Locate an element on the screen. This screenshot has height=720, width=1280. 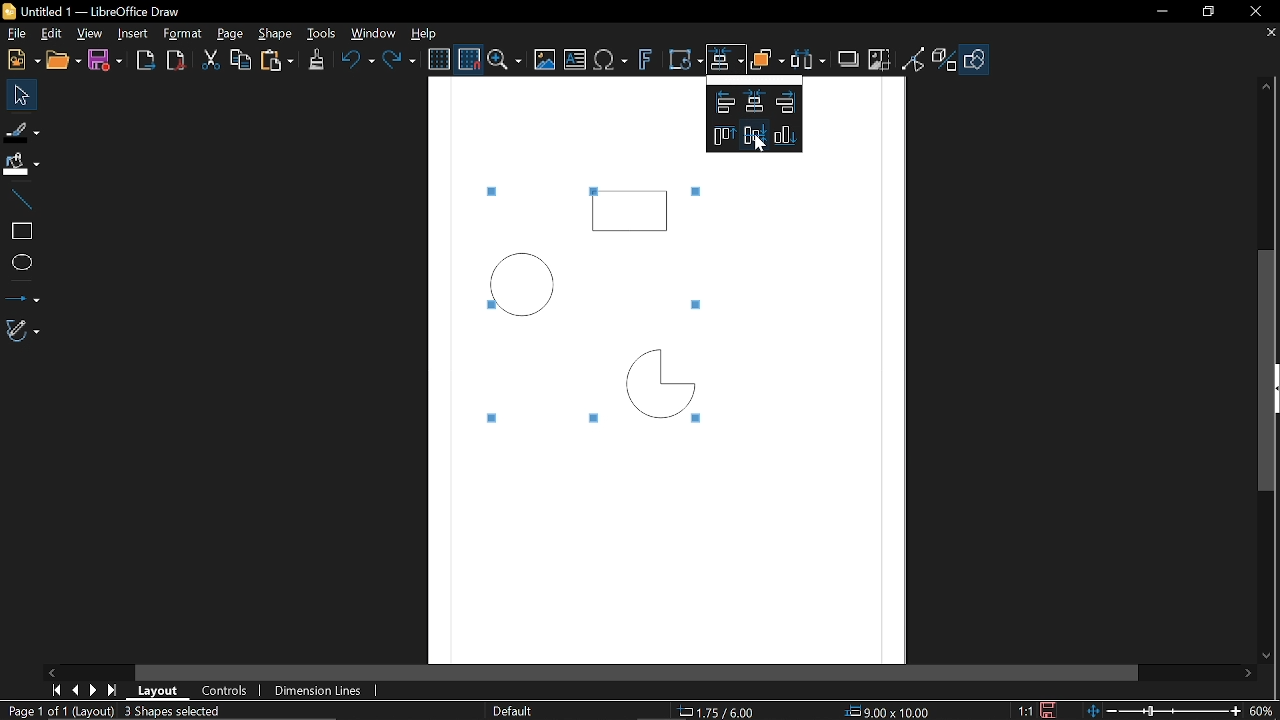
Line is located at coordinates (17, 194).